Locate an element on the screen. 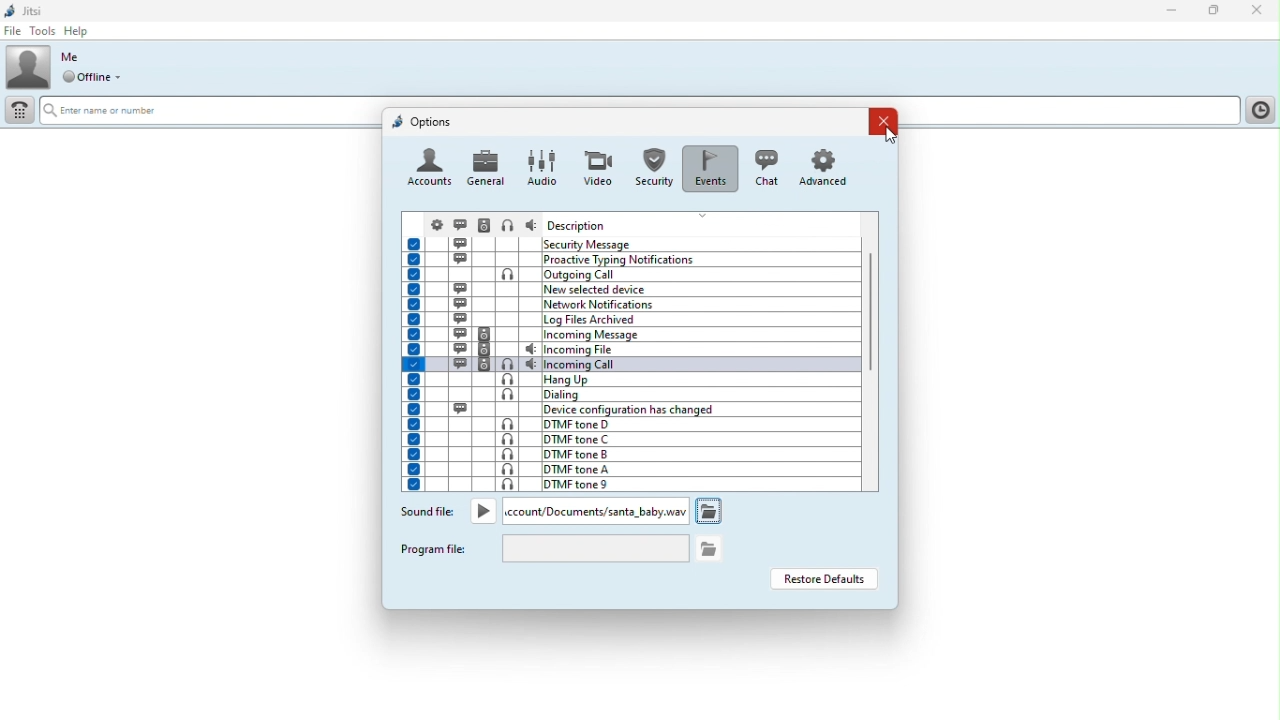 This screenshot has width=1280, height=720. incoming message  is located at coordinates (631, 335).